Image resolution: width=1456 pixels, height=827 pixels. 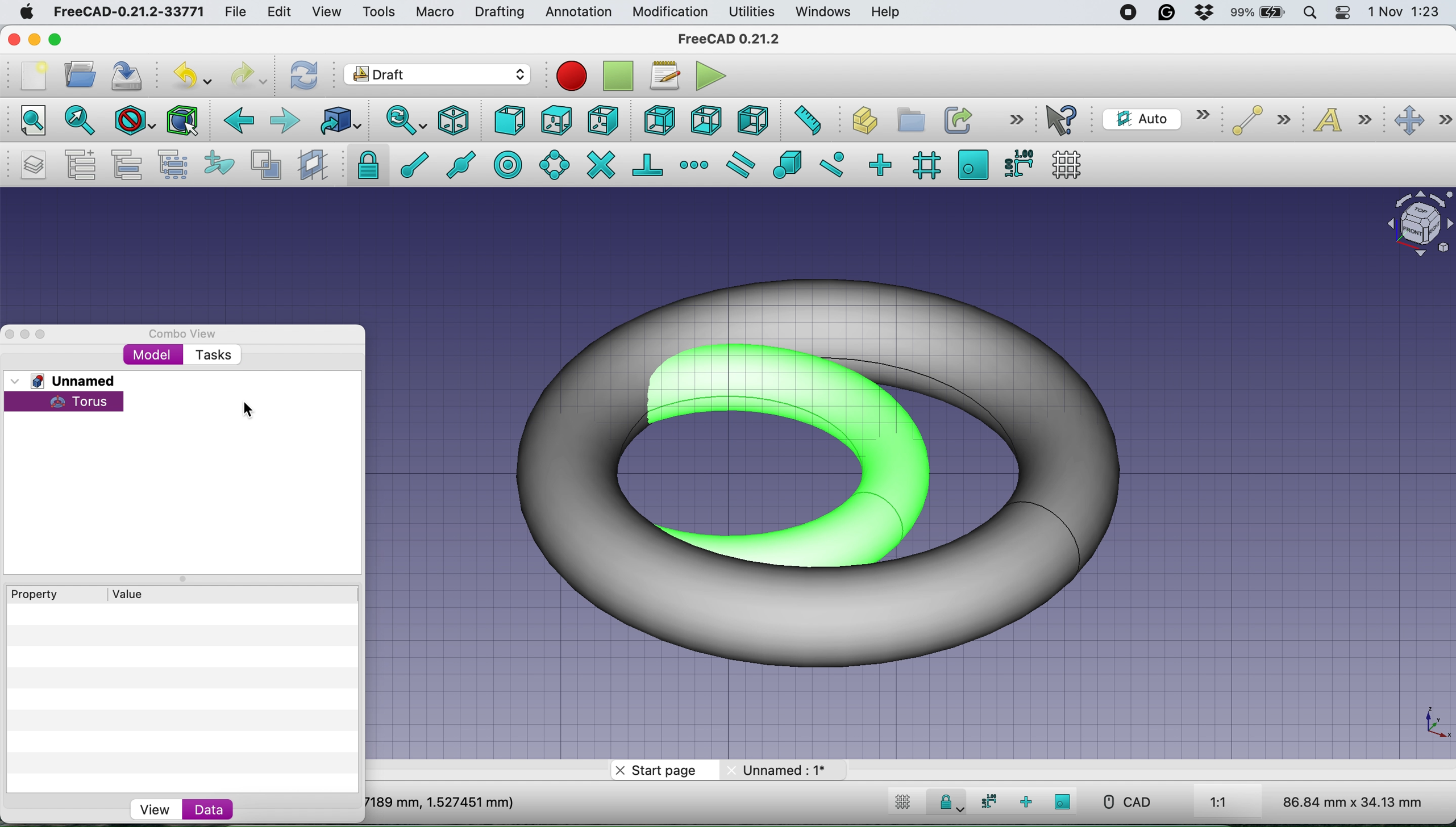 What do you see at coordinates (1121, 802) in the screenshot?
I see `CAD` at bounding box center [1121, 802].